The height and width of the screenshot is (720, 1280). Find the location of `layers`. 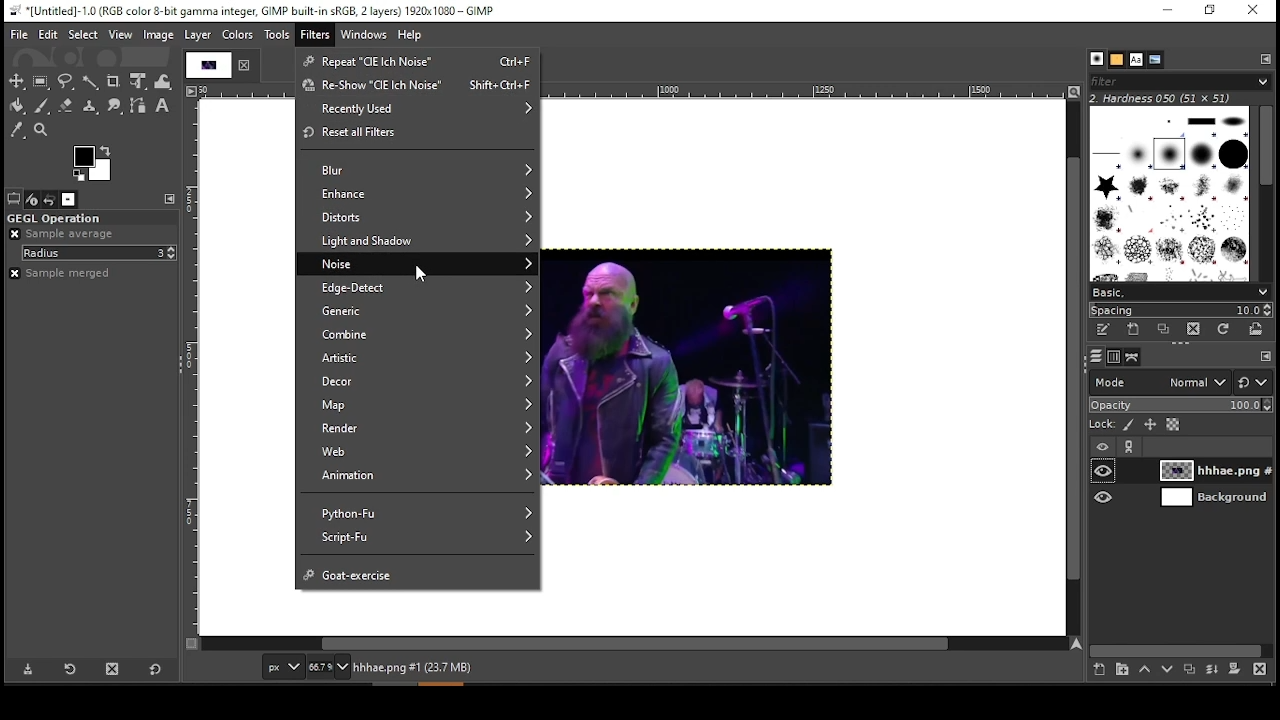

layers is located at coordinates (1092, 358).